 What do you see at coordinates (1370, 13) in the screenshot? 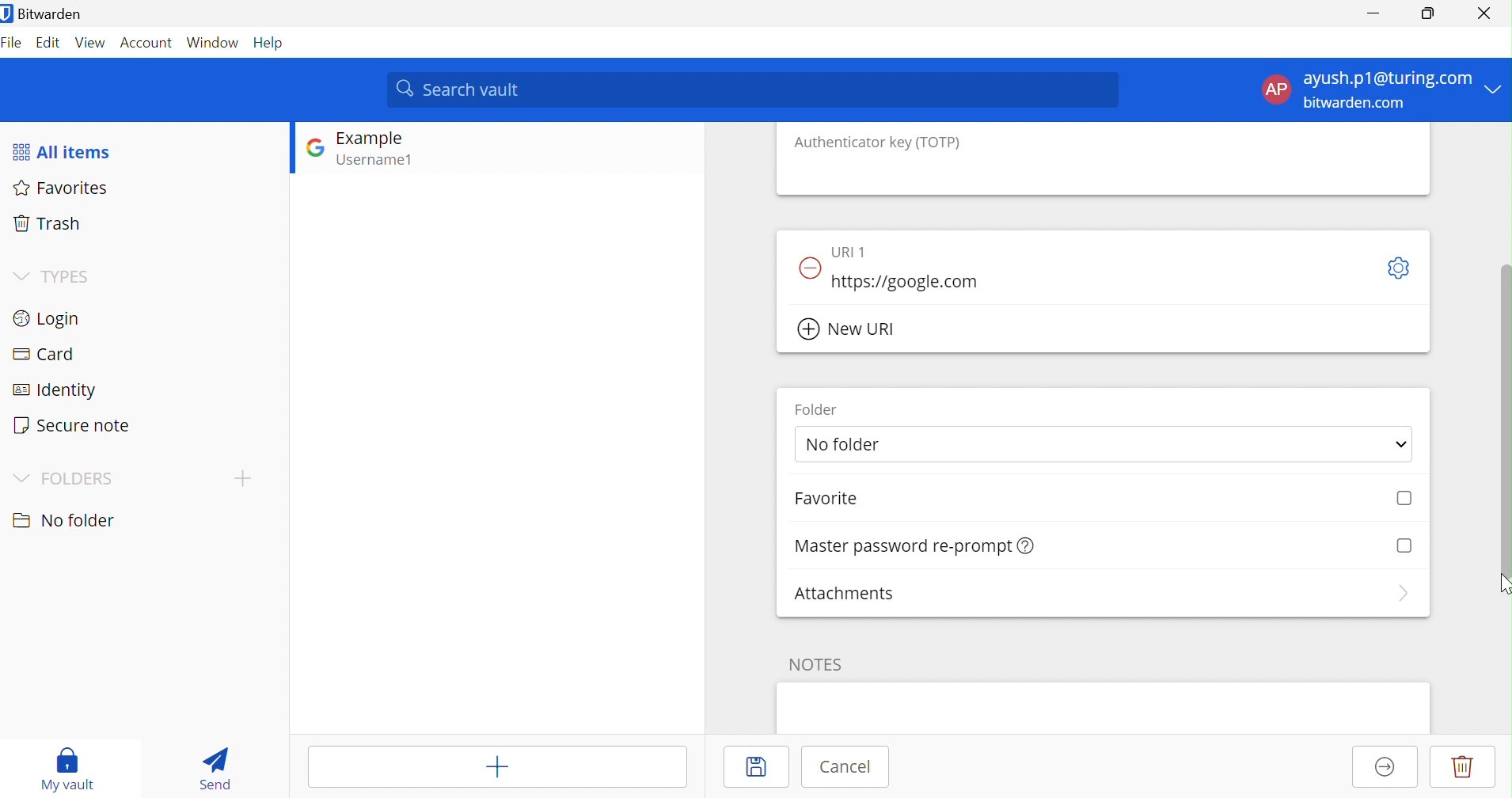
I see `Minimize` at bounding box center [1370, 13].